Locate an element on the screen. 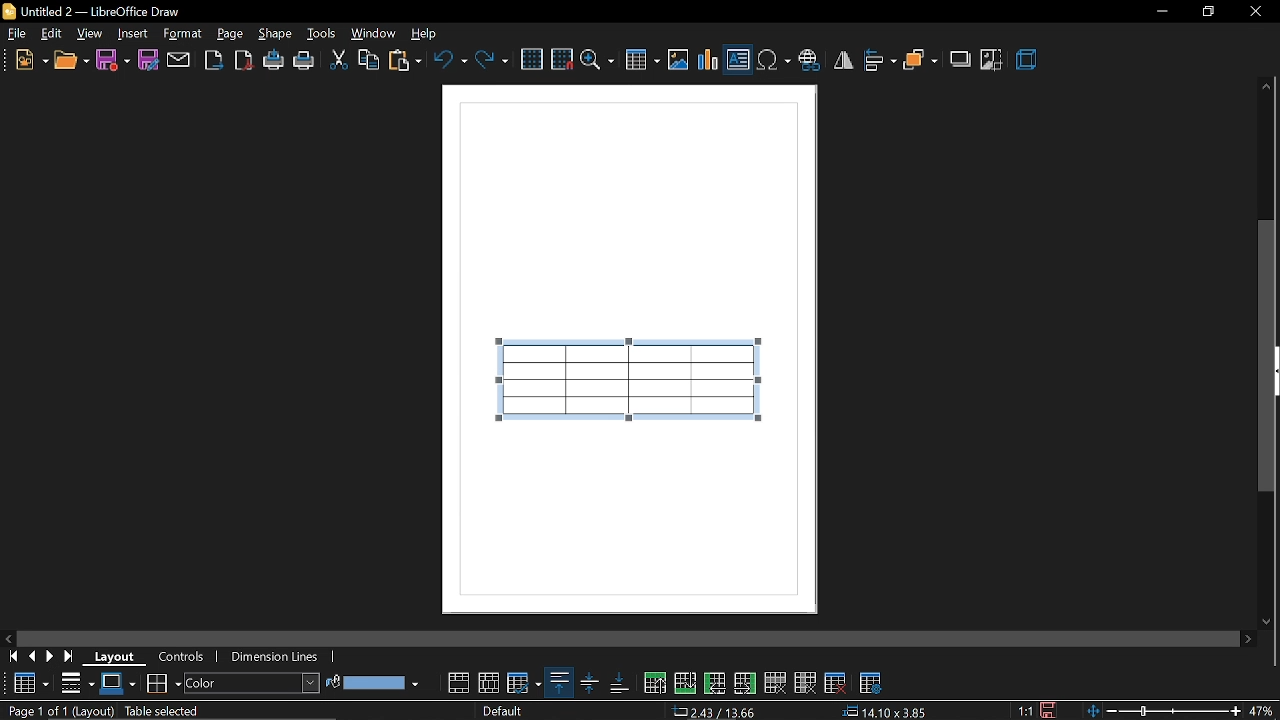 This screenshot has height=720, width=1280. border style is located at coordinates (78, 683).